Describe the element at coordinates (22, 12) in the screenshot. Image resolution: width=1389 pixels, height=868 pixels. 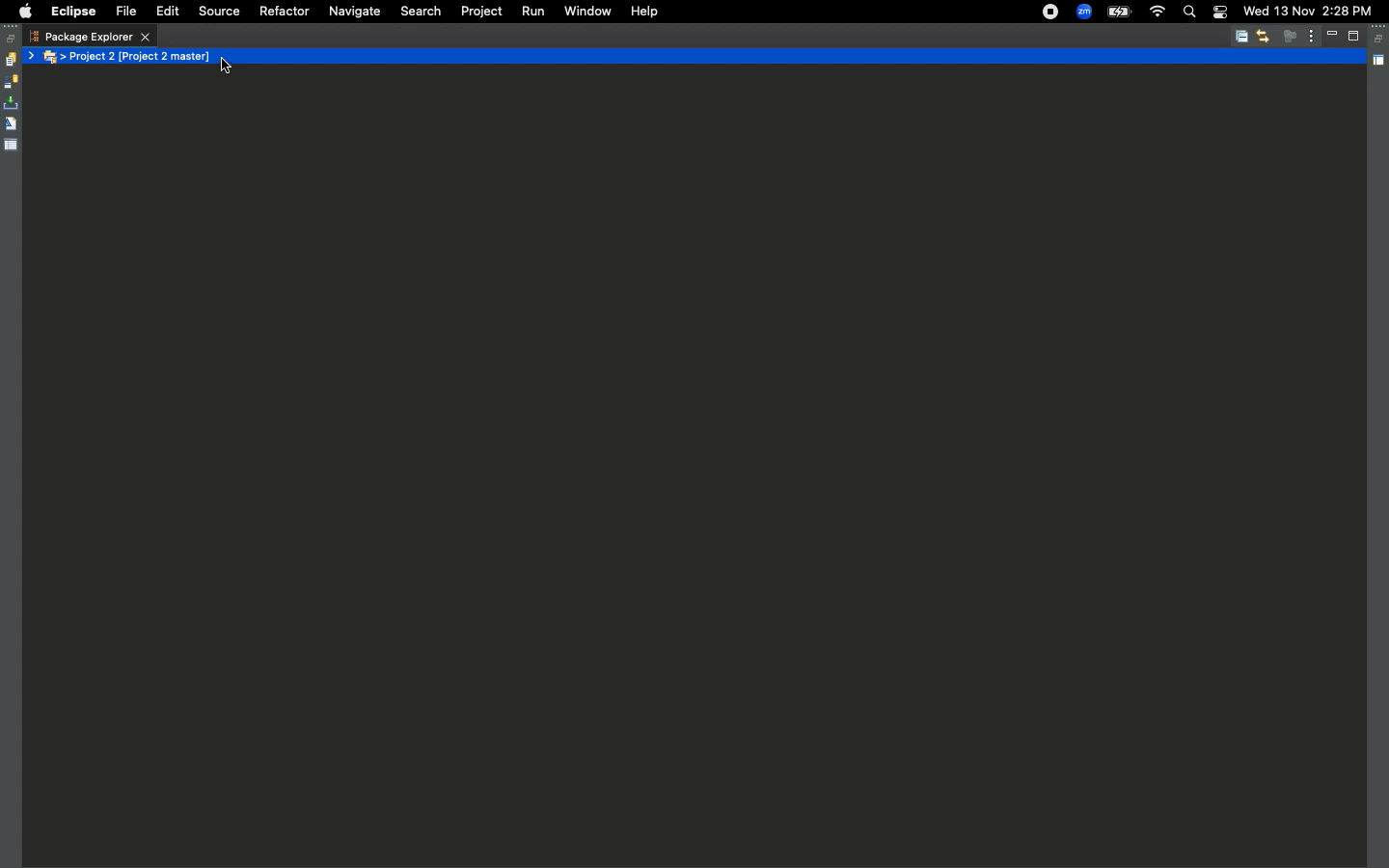
I see `Apple logo` at that location.